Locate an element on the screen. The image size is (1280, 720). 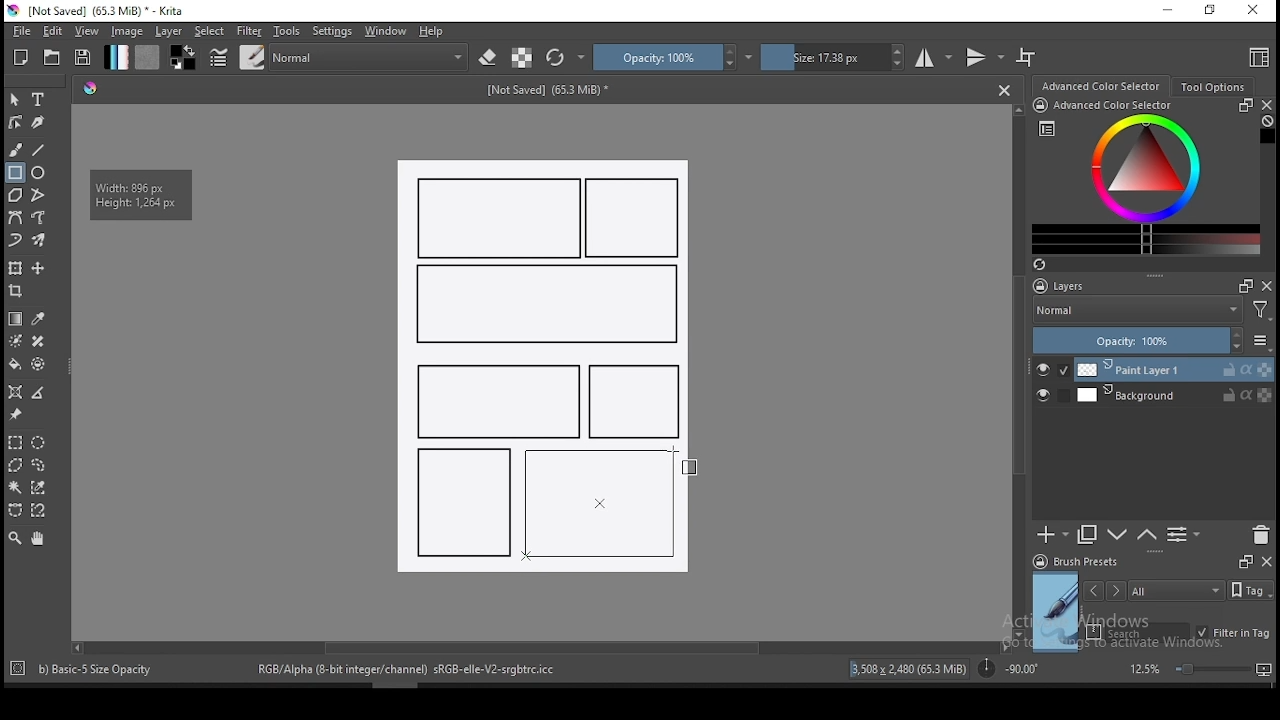
move layer one step up is located at coordinates (1118, 537).